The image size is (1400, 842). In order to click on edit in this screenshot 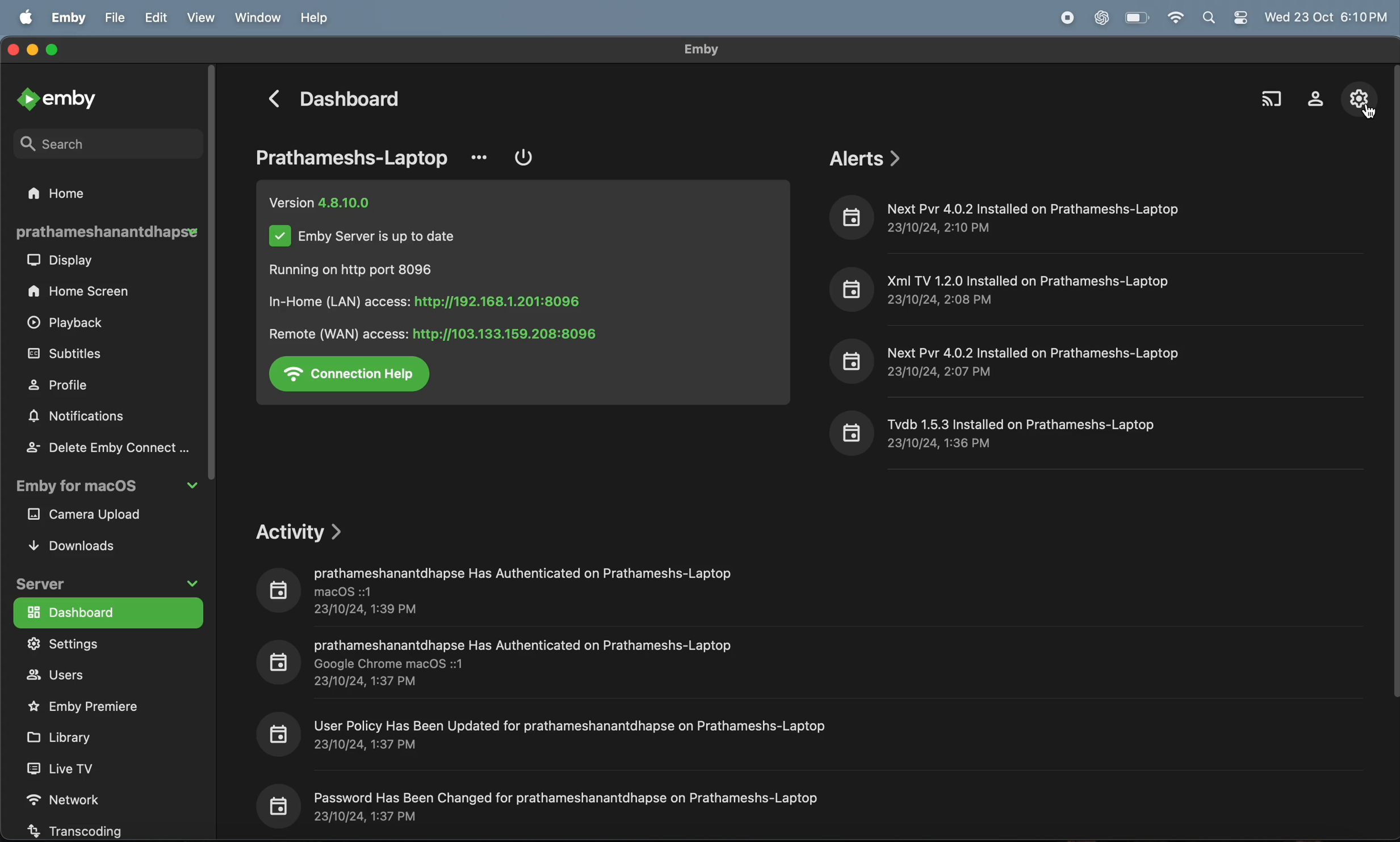, I will do `click(154, 18)`.